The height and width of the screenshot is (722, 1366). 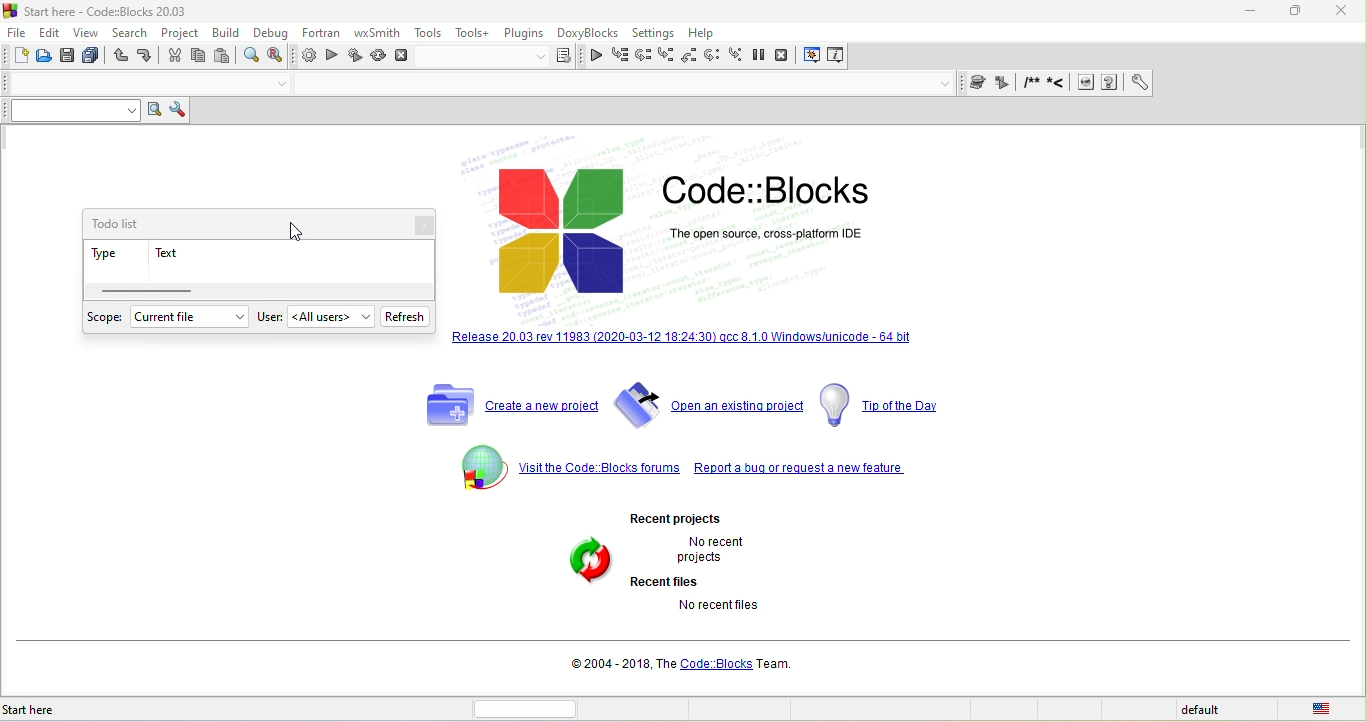 I want to click on close, so click(x=417, y=225).